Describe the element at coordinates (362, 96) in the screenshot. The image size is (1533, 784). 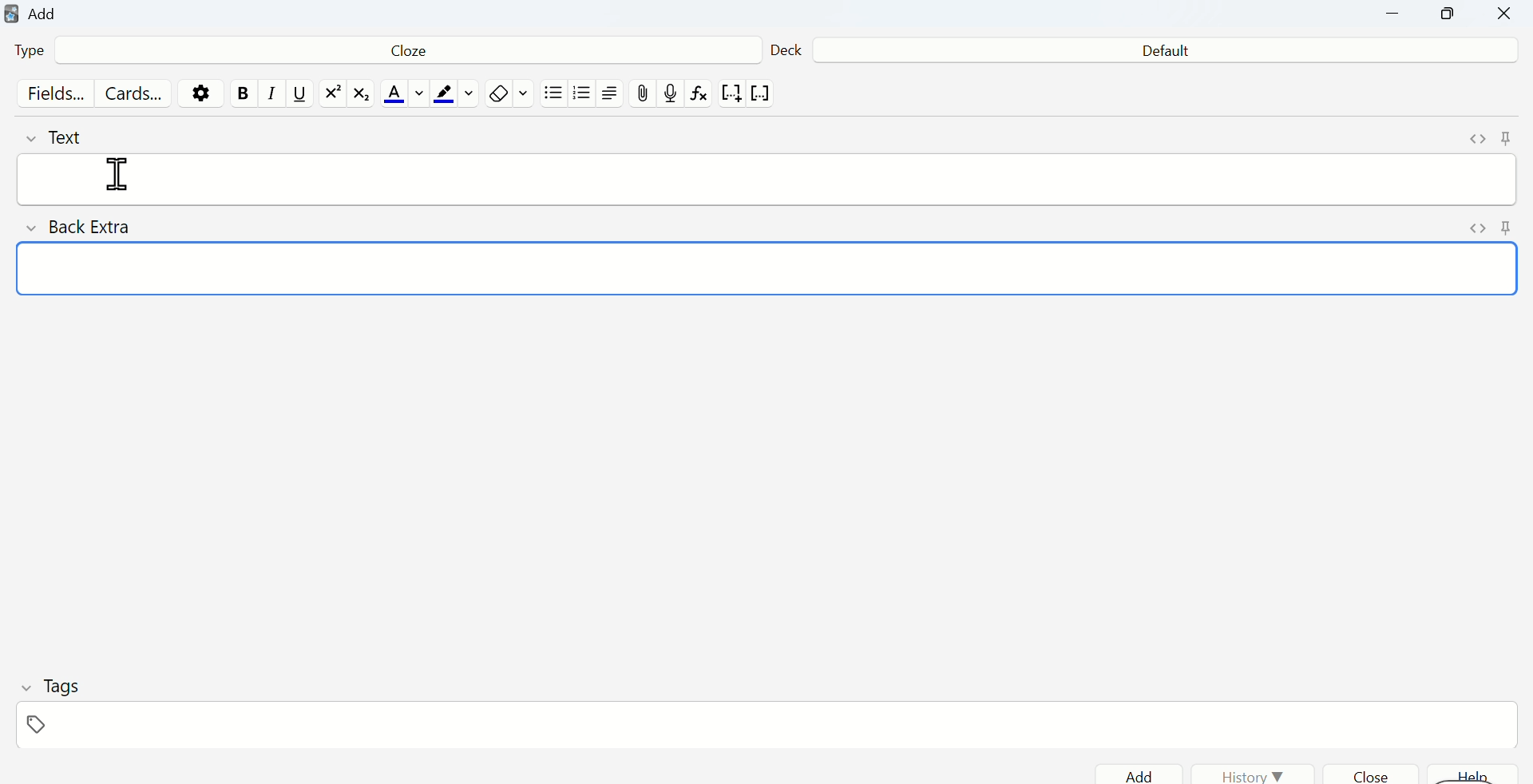
I see `matrix` at that location.